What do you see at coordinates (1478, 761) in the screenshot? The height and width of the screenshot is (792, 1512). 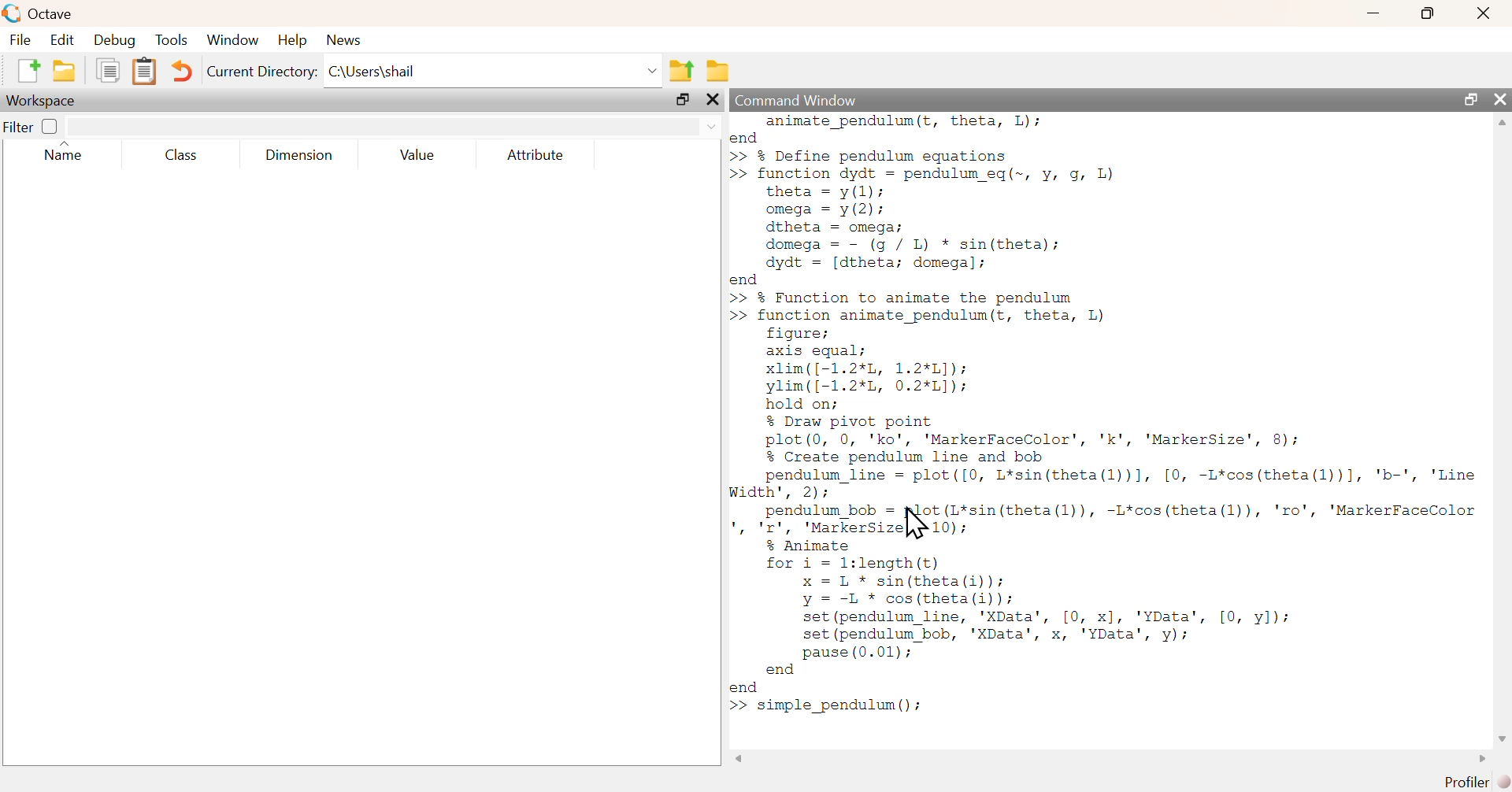 I see `Scroll right` at bounding box center [1478, 761].